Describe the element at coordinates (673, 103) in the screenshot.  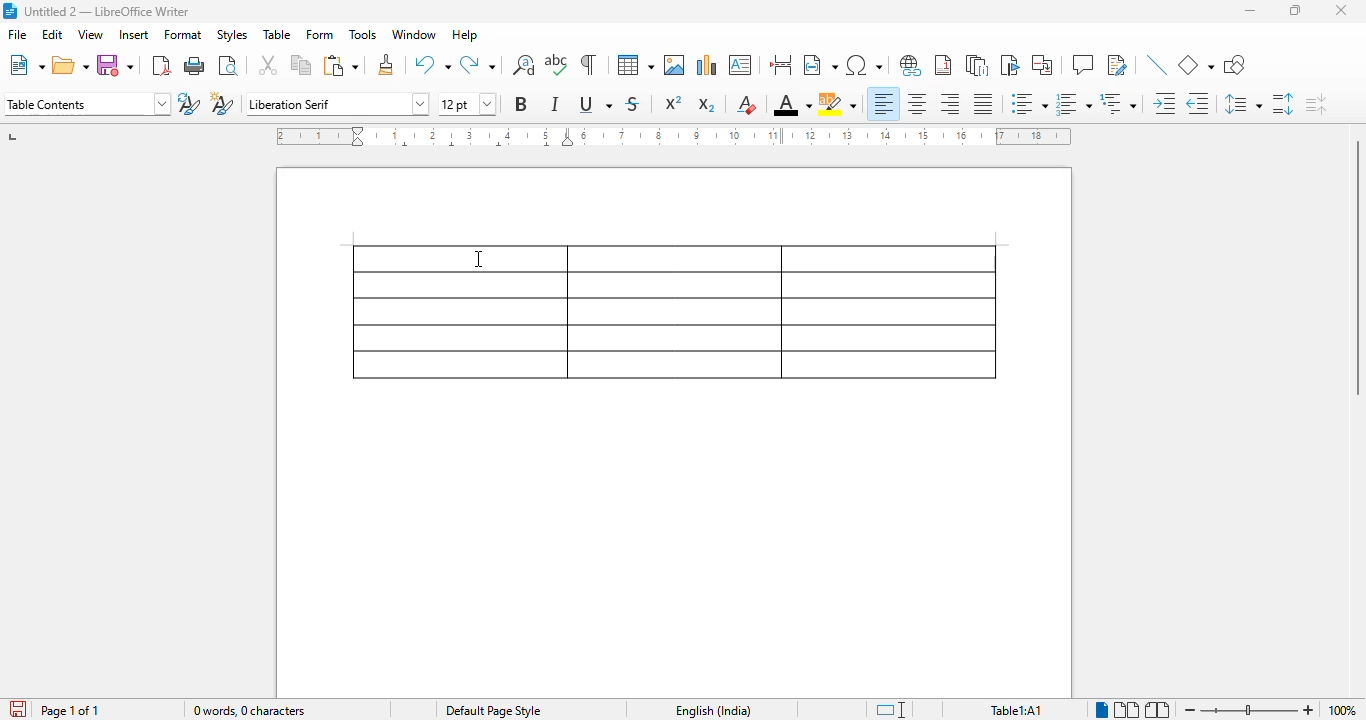
I see `superscript` at that location.